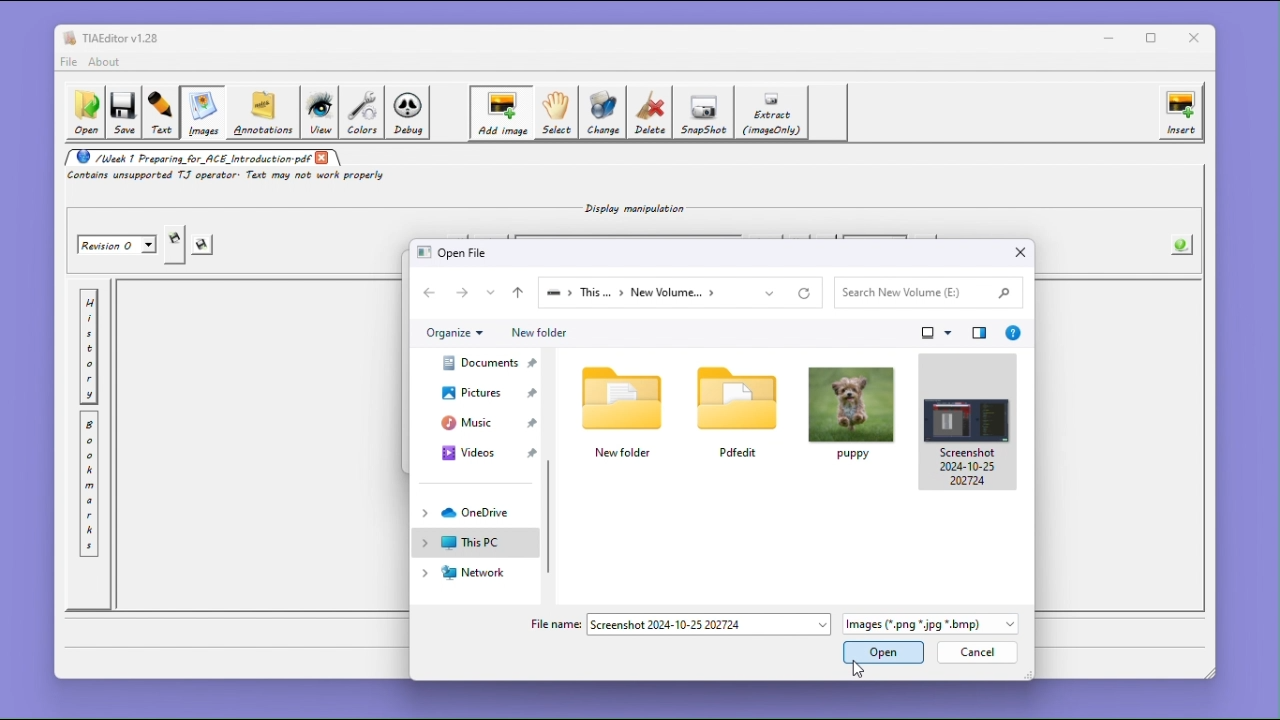 The image size is (1280, 720). What do you see at coordinates (111, 37) in the screenshot?
I see `TIAEditor v1.28` at bounding box center [111, 37].